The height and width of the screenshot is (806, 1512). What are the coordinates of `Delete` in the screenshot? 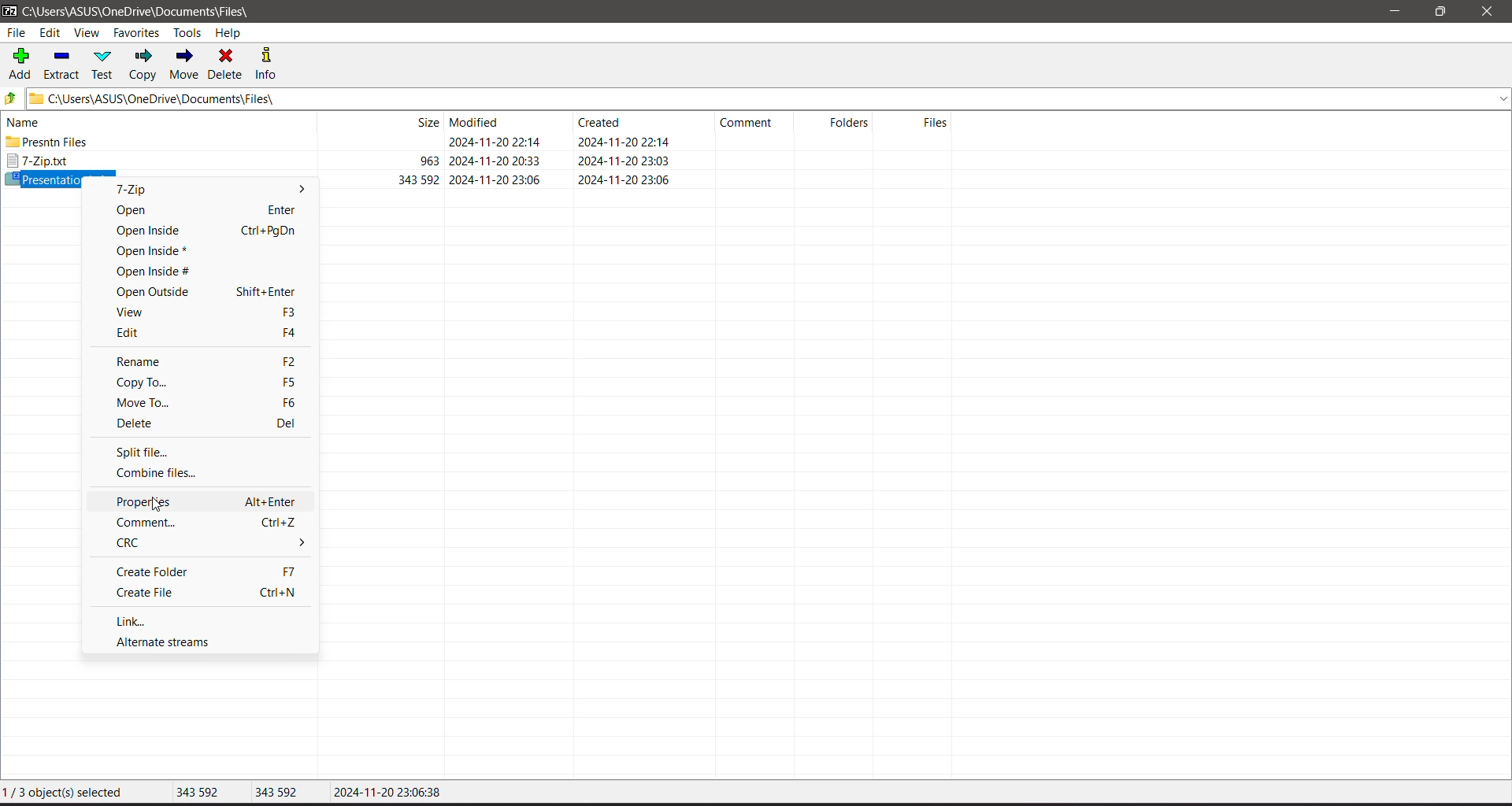 It's located at (200, 425).